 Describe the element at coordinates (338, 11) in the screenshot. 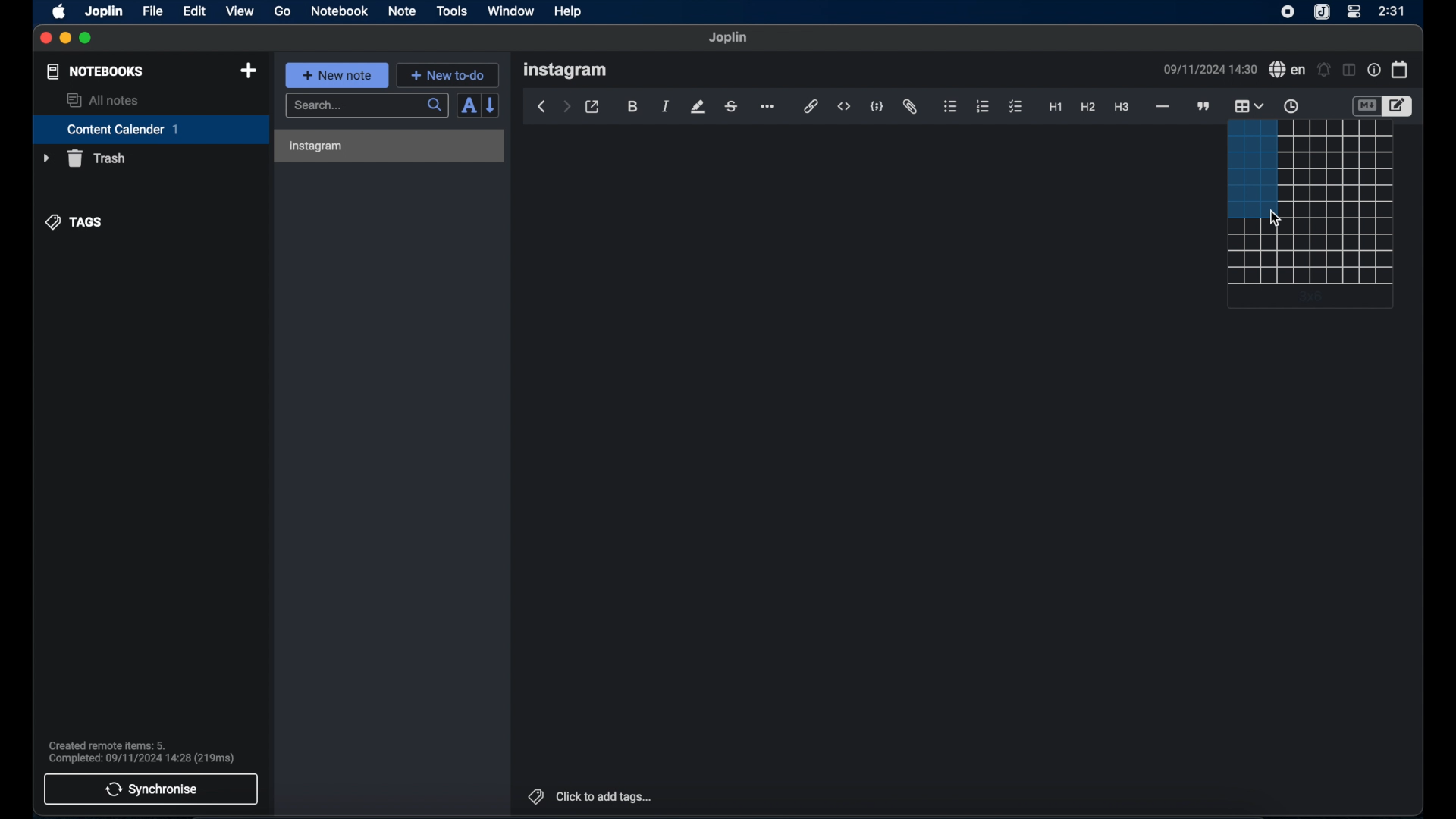

I see `notebook` at that location.